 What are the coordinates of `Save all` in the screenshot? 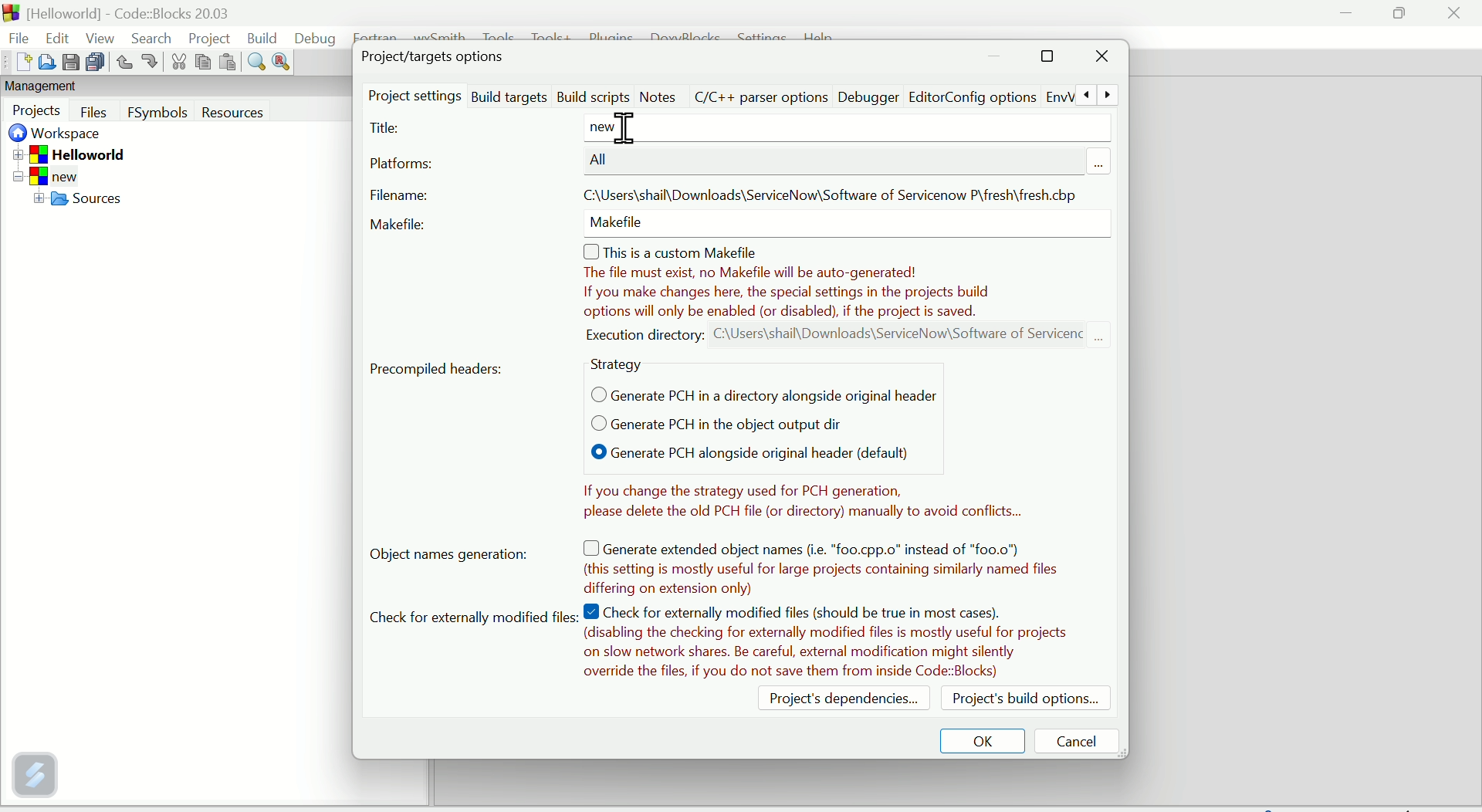 It's located at (98, 63).